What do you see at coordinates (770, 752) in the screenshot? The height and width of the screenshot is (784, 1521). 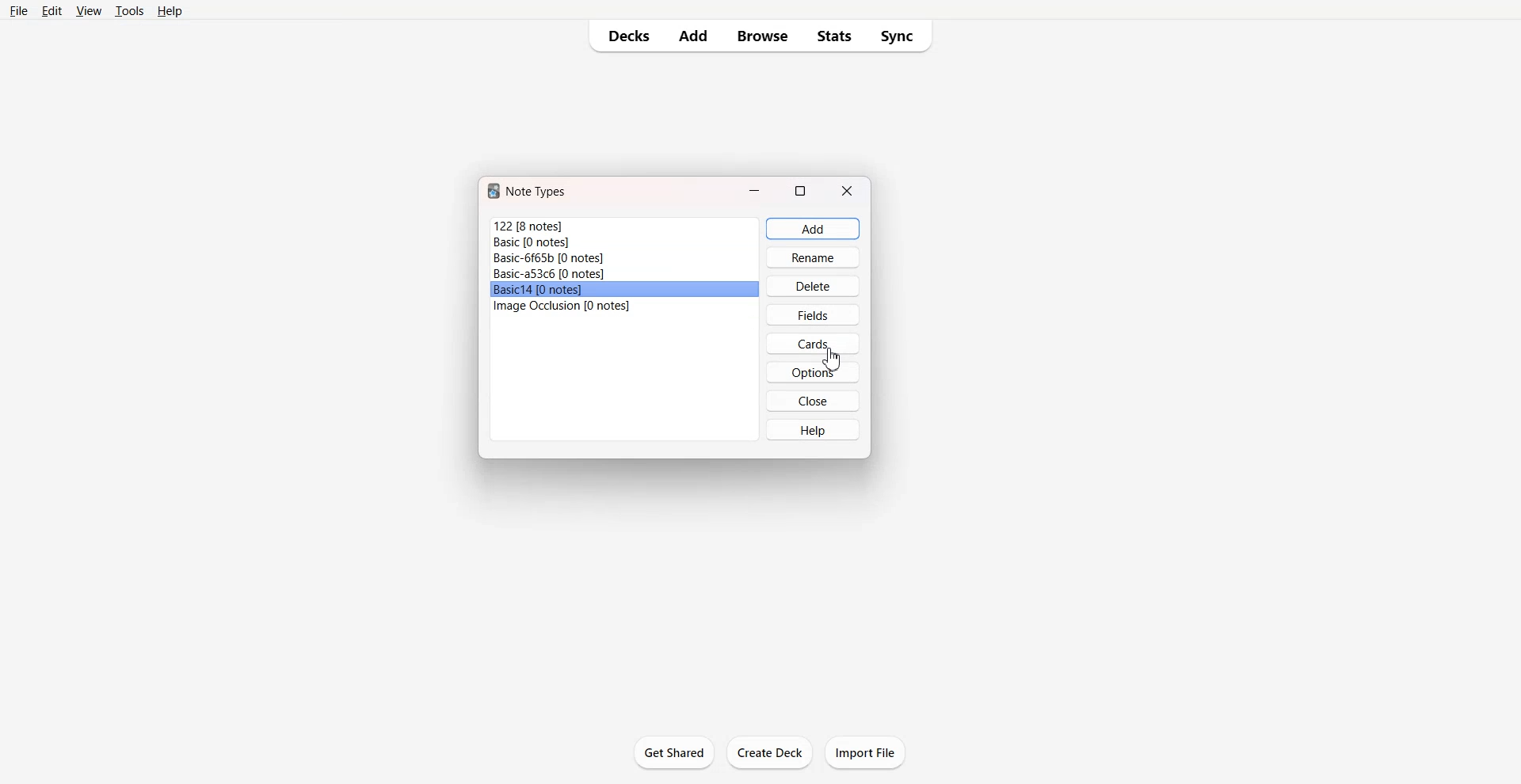 I see `Create Deck` at bounding box center [770, 752].